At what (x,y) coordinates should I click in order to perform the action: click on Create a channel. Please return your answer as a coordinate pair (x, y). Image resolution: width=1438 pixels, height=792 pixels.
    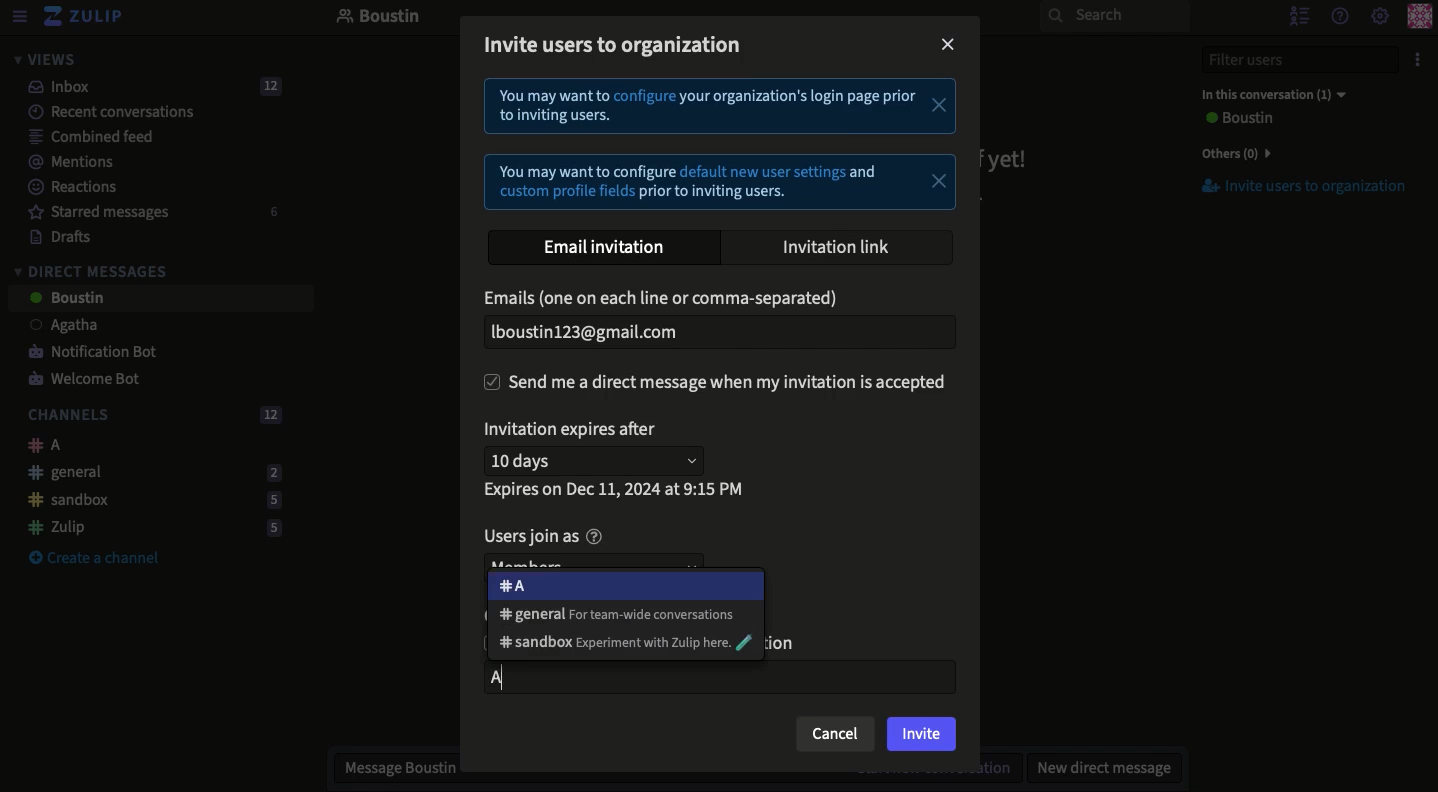
    Looking at the image, I should click on (94, 559).